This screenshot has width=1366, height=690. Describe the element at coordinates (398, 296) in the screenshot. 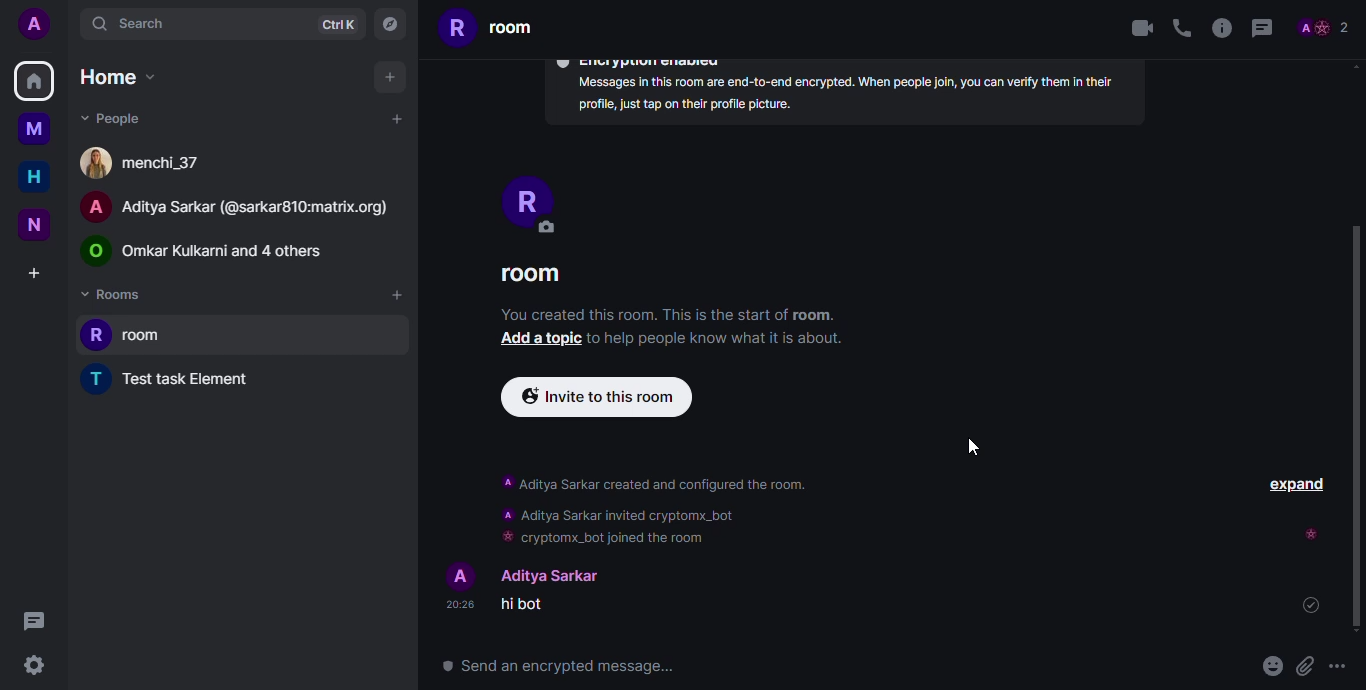

I see `add` at that location.